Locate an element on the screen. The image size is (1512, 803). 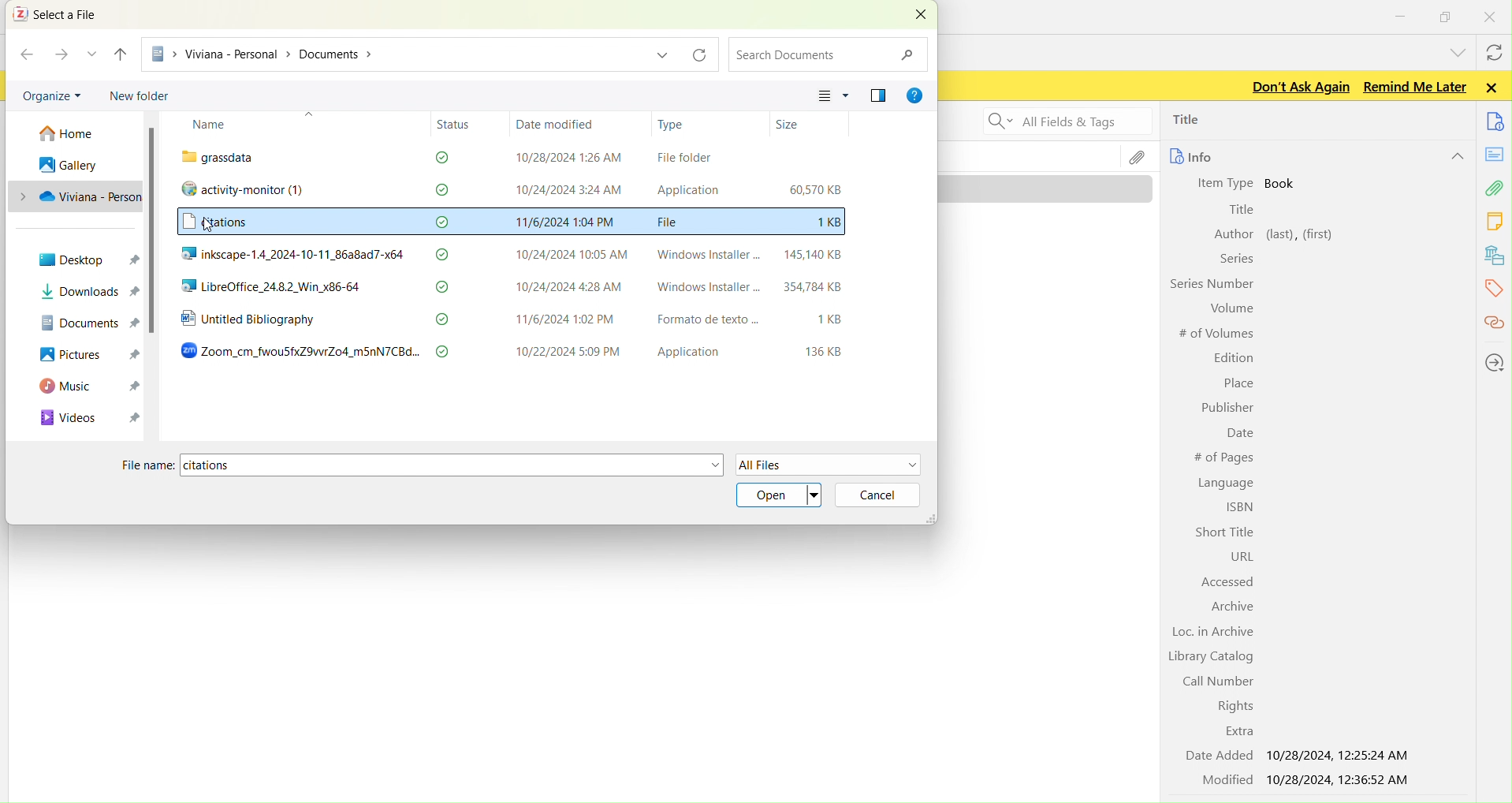
“ grassdata is located at coordinates (223, 160).